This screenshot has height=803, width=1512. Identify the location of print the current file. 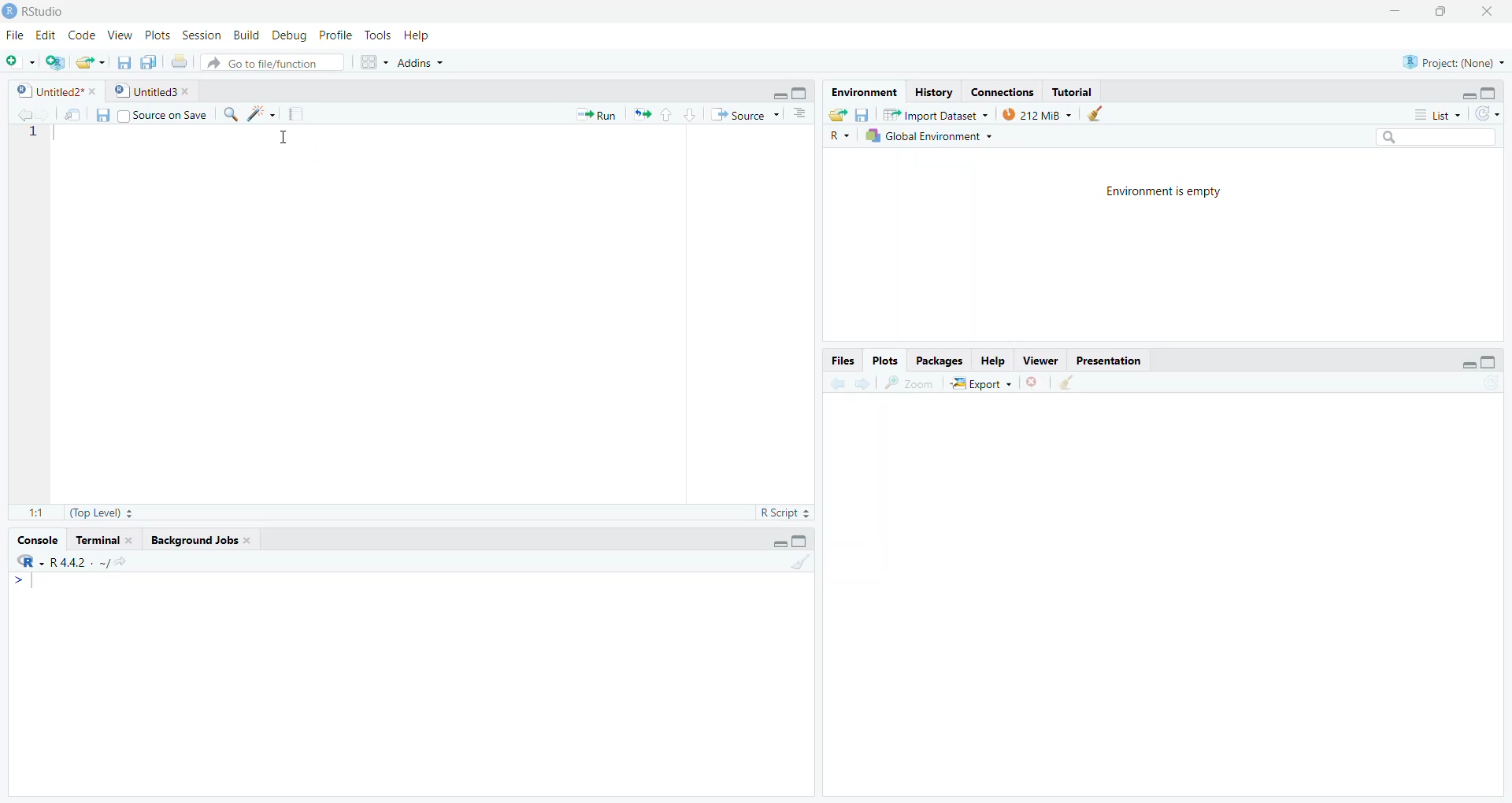
(182, 63).